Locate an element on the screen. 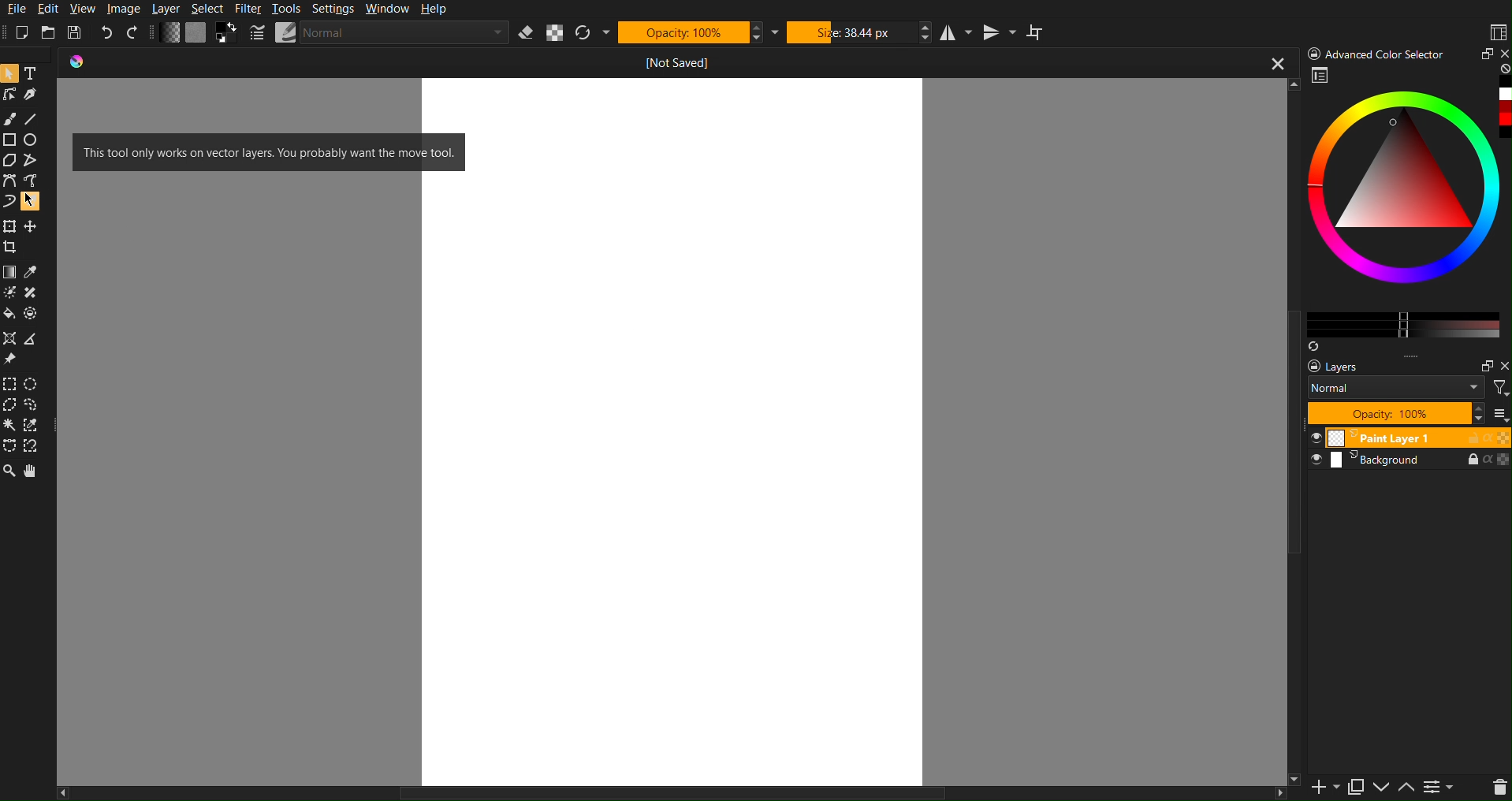 The image size is (1512, 801). Horizontal Mirror is located at coordinates (955, 33).